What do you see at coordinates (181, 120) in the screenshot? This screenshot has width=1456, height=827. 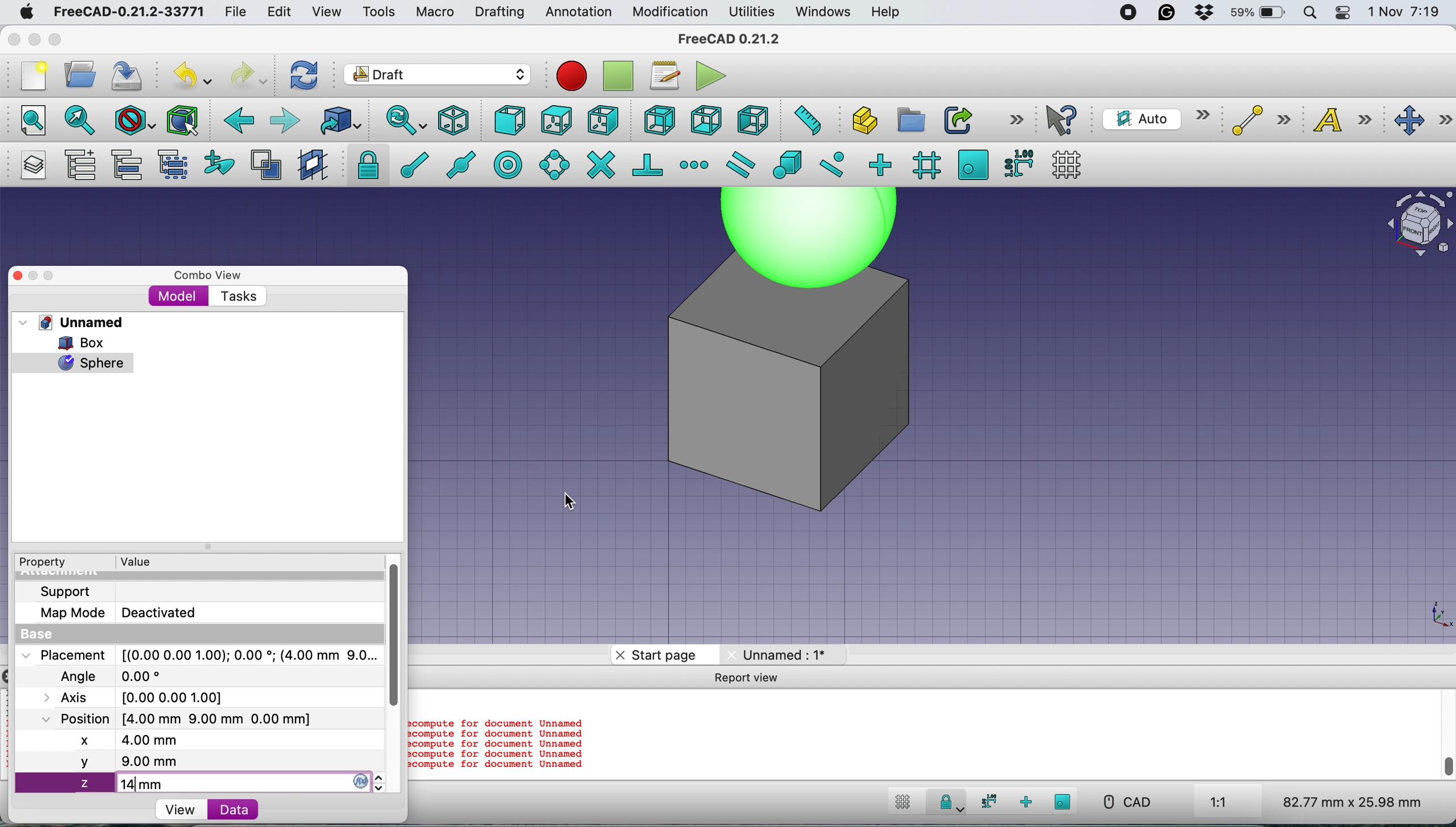 I see `bounding box` at bounding box center [181, 120].